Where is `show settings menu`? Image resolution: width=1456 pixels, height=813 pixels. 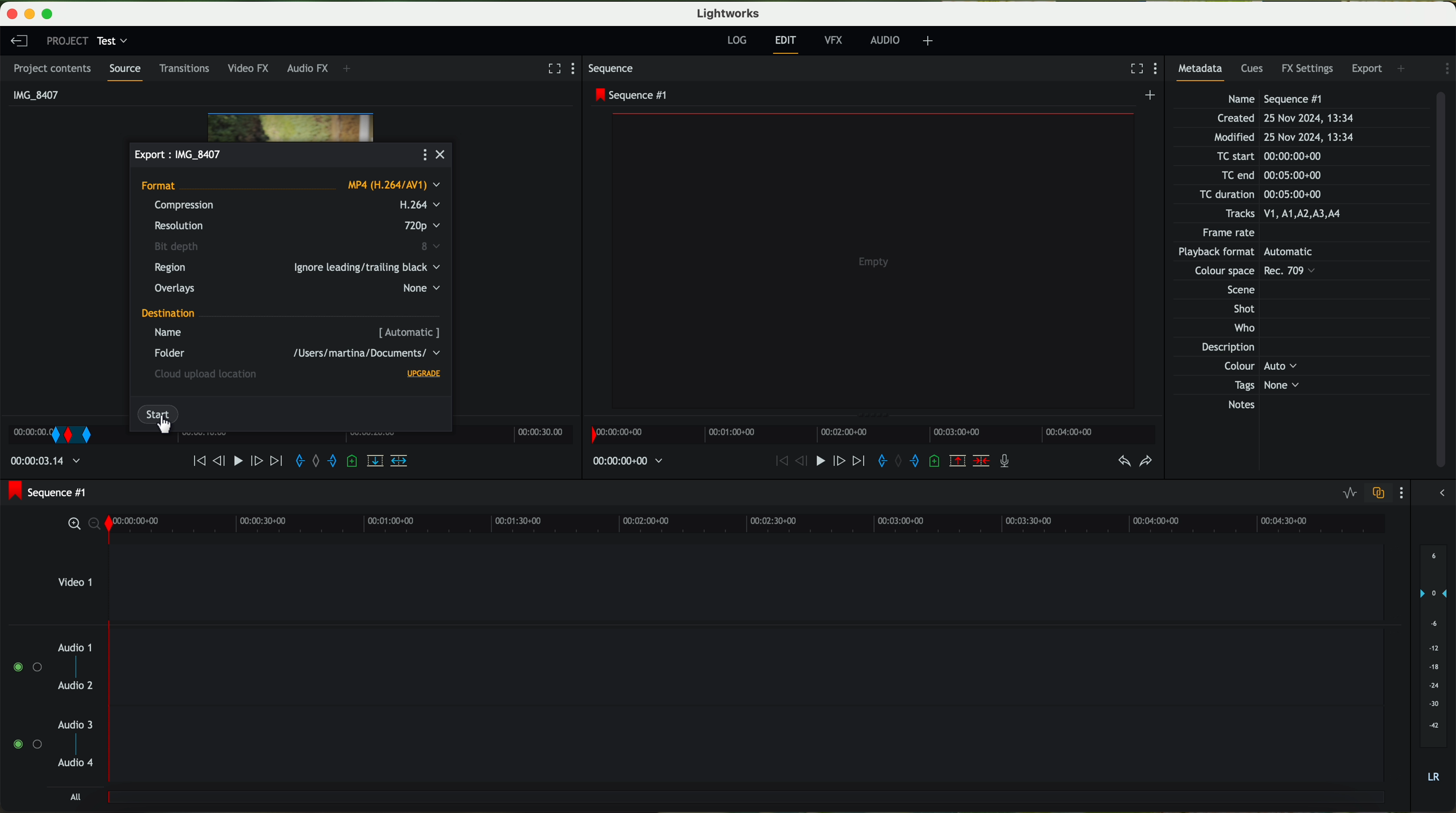
show settings menu is located at coordinates (1404, 493).